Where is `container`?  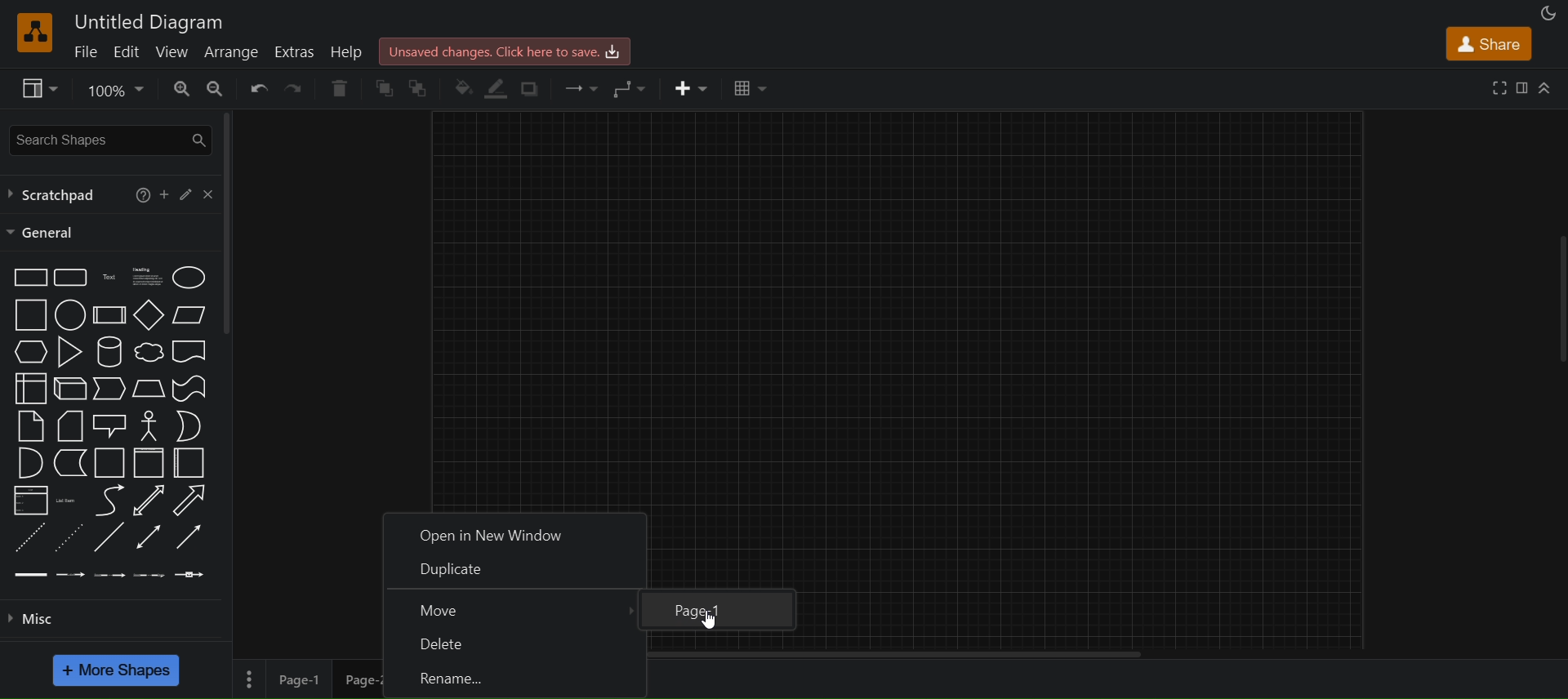 container is located at coordinates (109, 463).